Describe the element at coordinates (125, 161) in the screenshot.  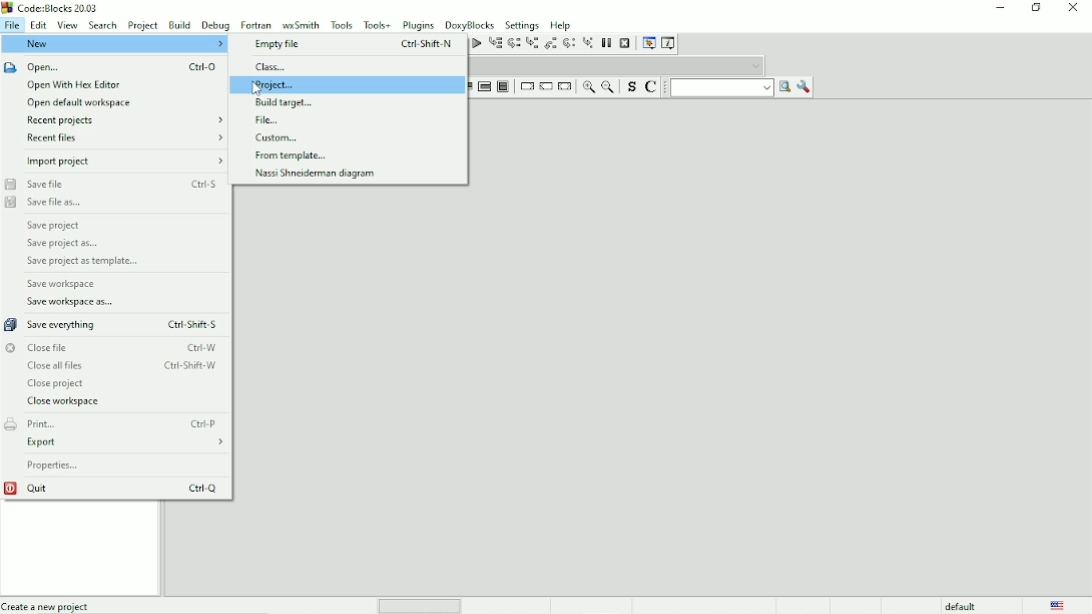
I see `Import project` at that location.